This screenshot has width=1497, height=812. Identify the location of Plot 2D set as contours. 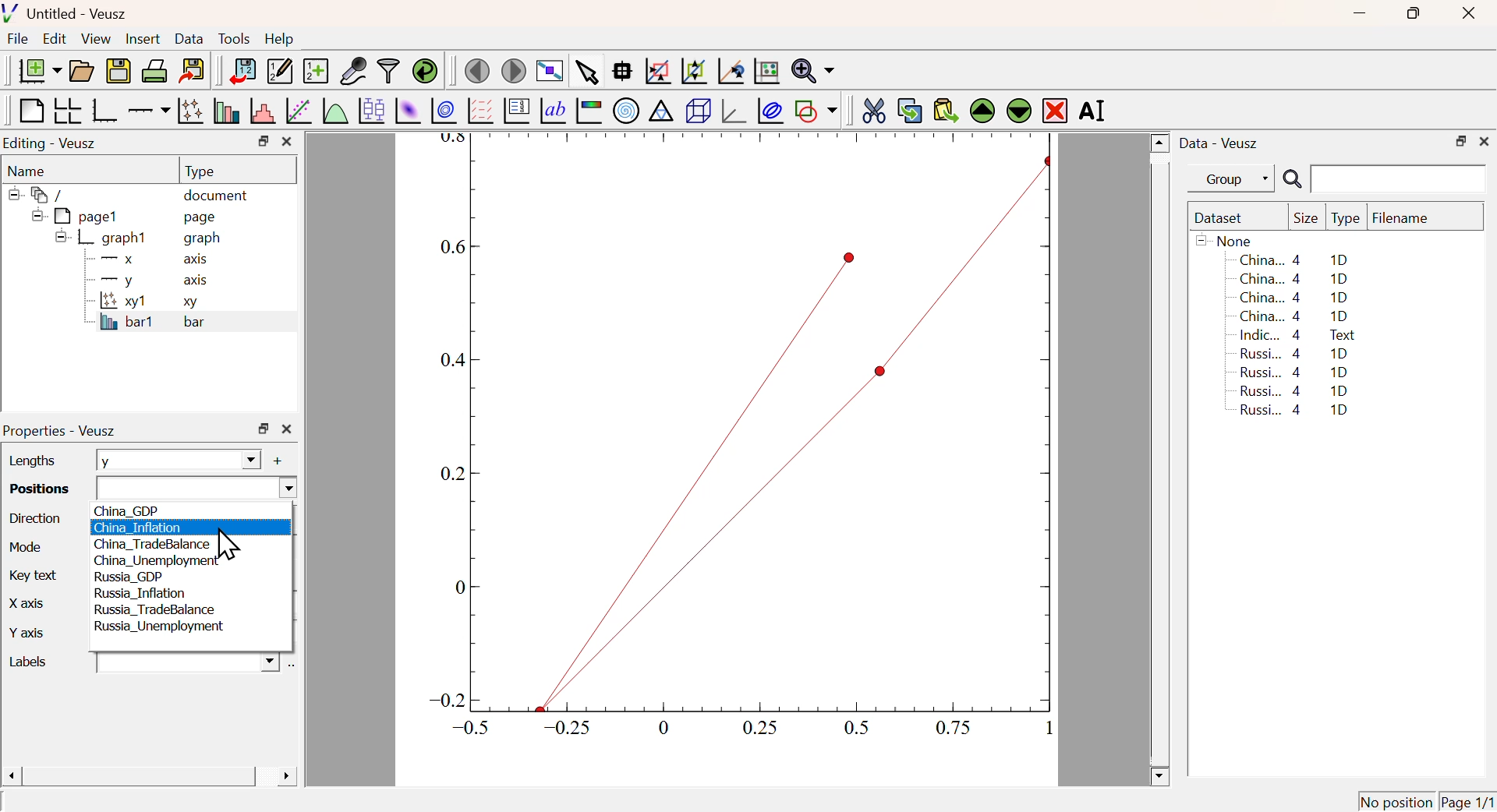
(444, 111).